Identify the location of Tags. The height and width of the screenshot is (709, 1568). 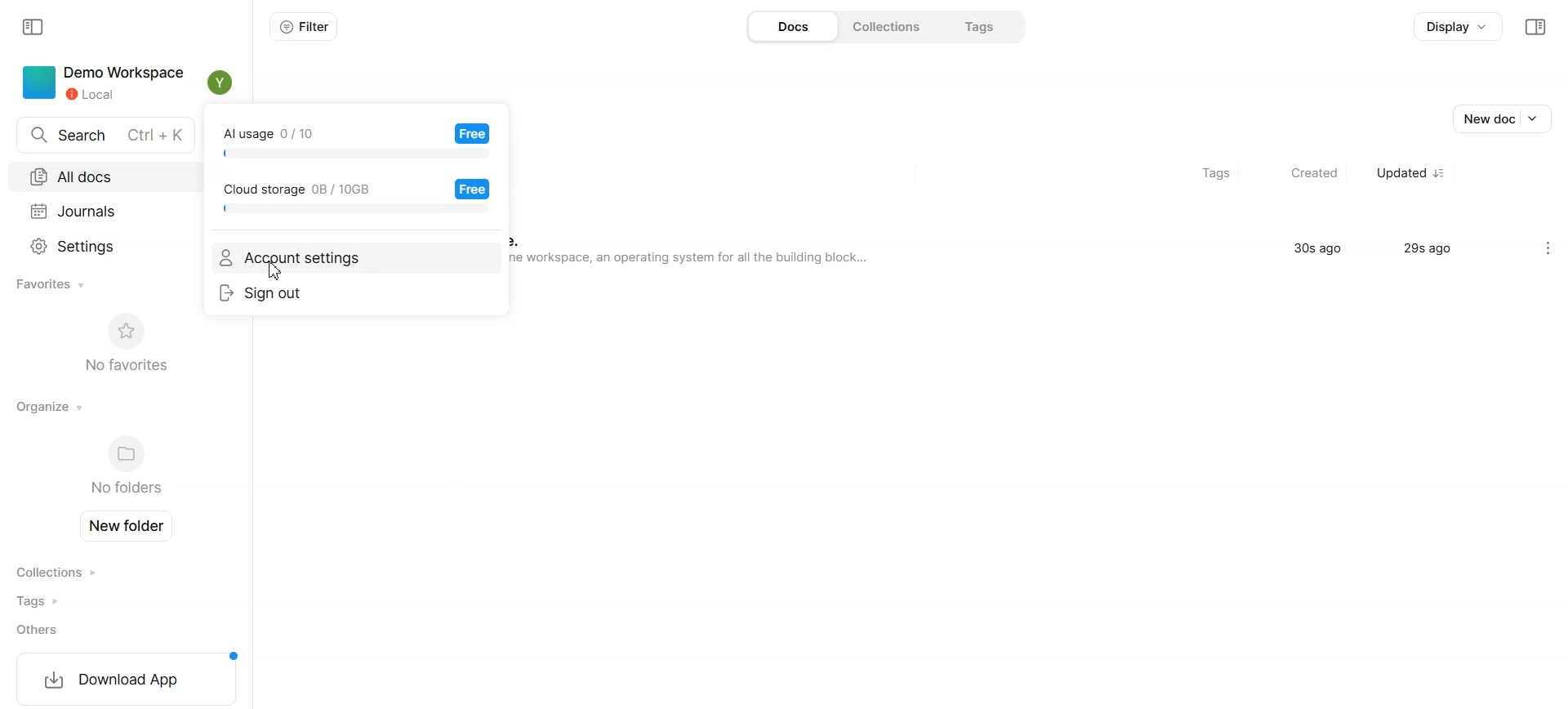
(1207, 173).